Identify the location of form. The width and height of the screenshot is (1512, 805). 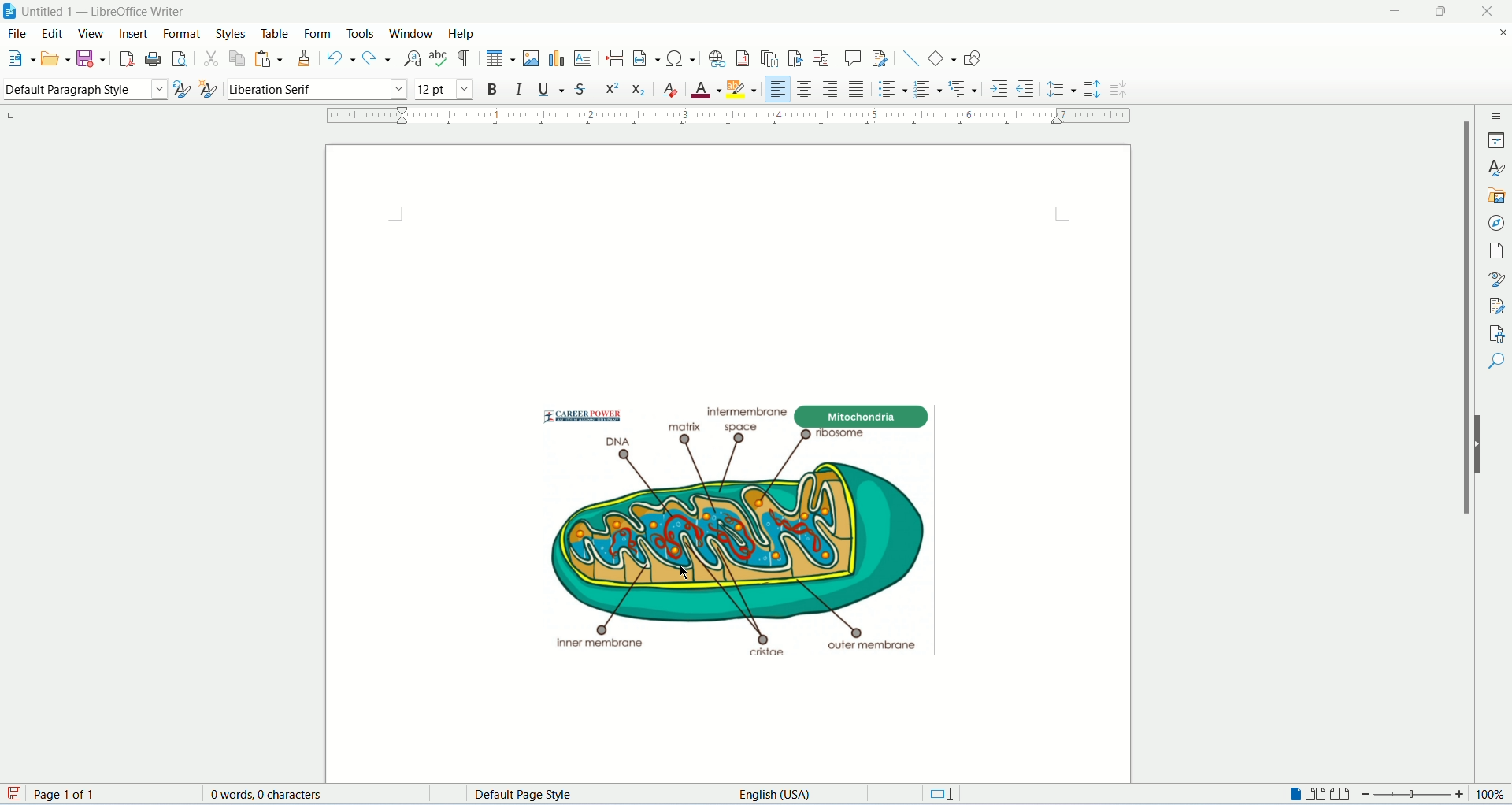
(321, 32).